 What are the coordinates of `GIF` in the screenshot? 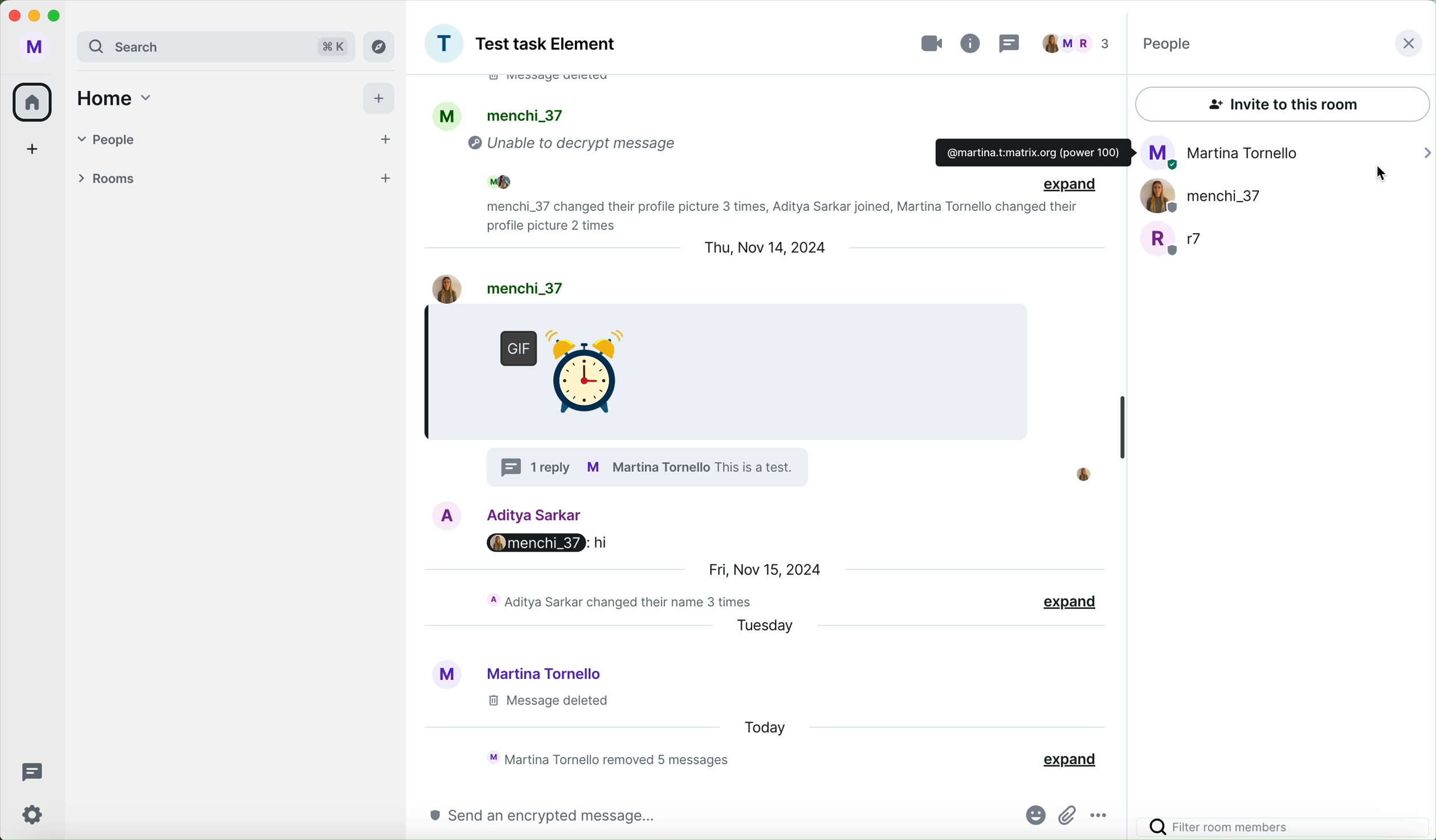 It's located at (556, 366).